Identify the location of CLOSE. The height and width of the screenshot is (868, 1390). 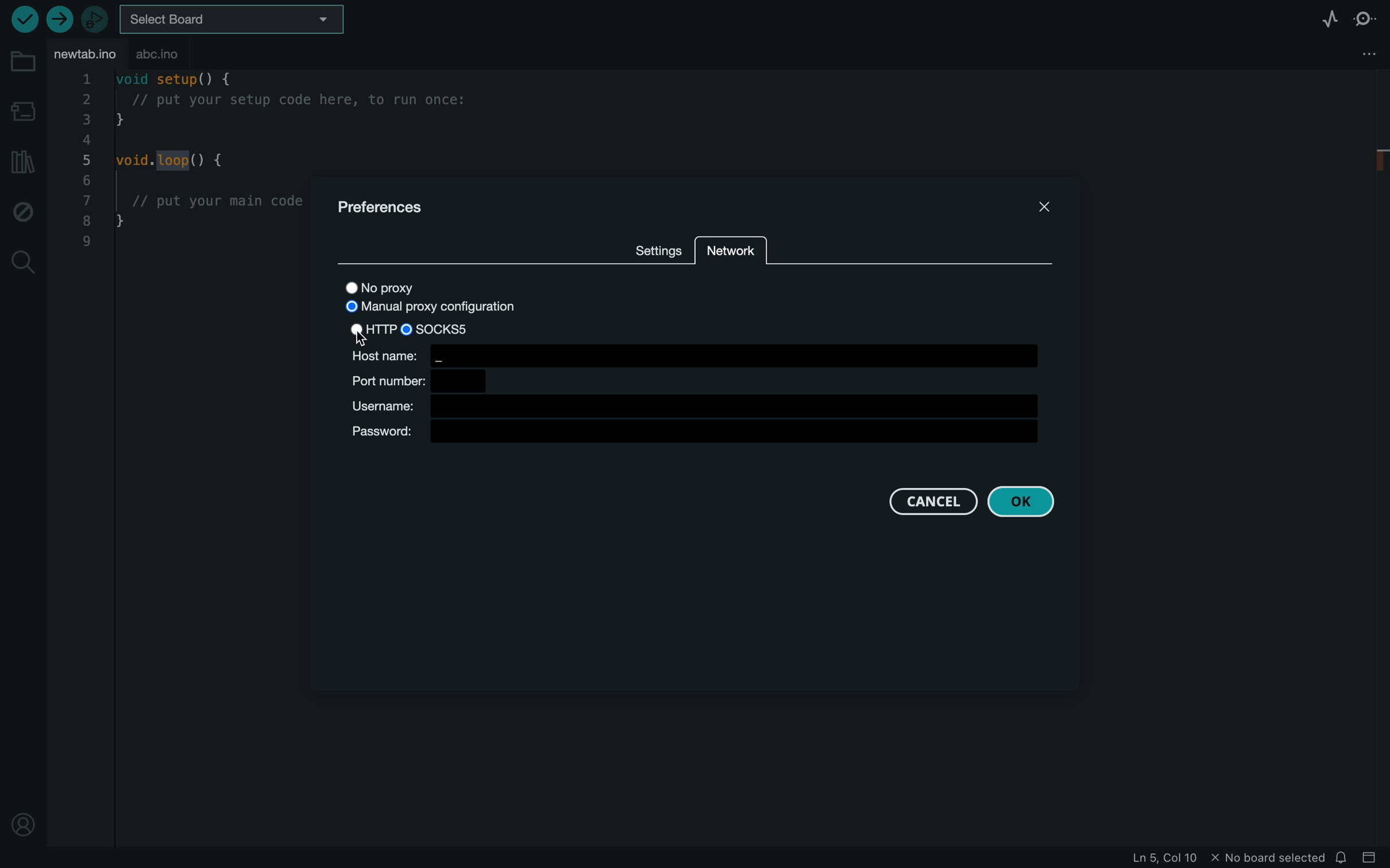
(1047, 207).